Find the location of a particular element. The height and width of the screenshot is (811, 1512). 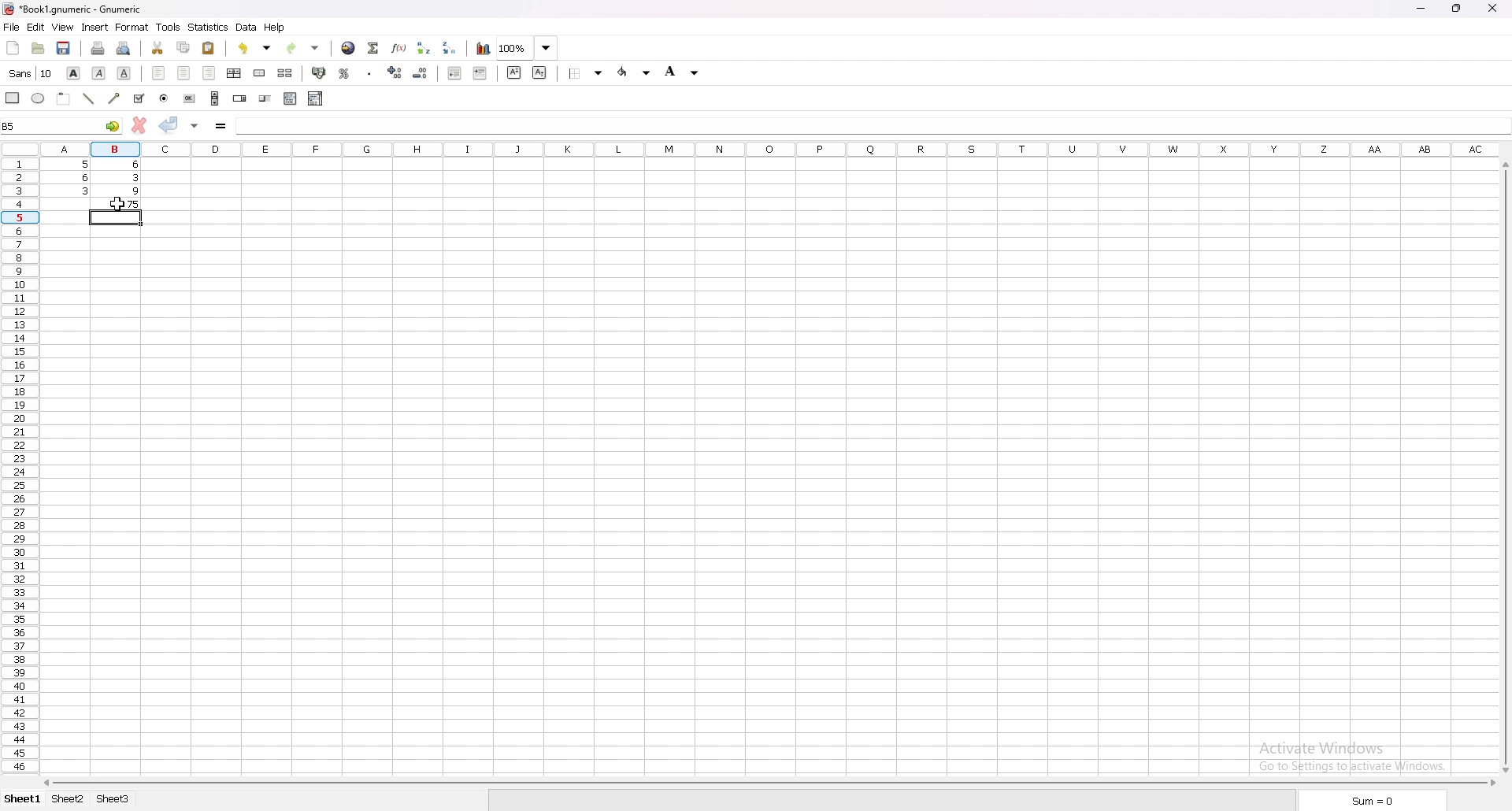

decrease indent is located at coordinates (454, 72).